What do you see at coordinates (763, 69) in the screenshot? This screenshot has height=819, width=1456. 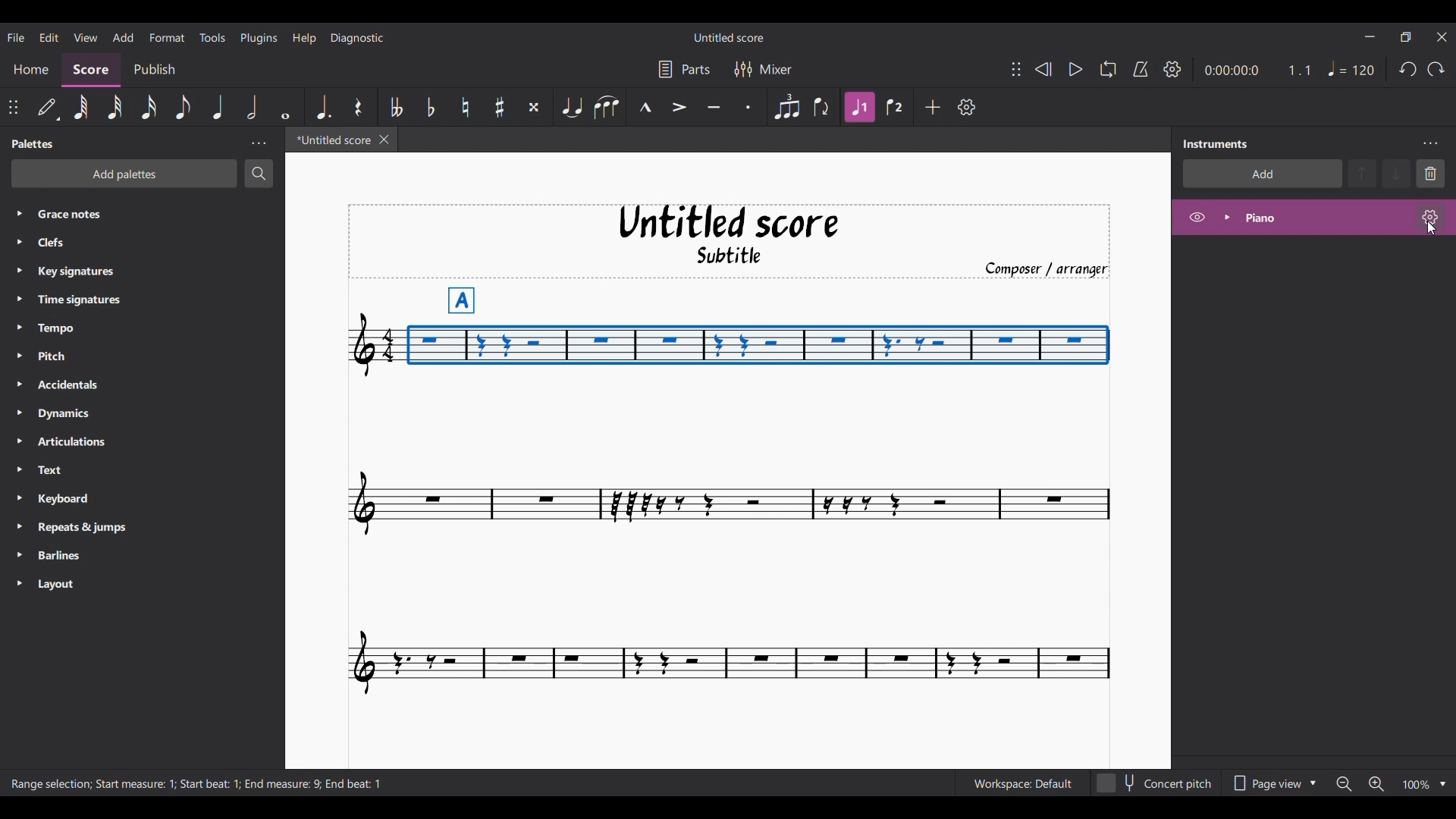 I see `Mixer settings` at bounding box center [763, 69].